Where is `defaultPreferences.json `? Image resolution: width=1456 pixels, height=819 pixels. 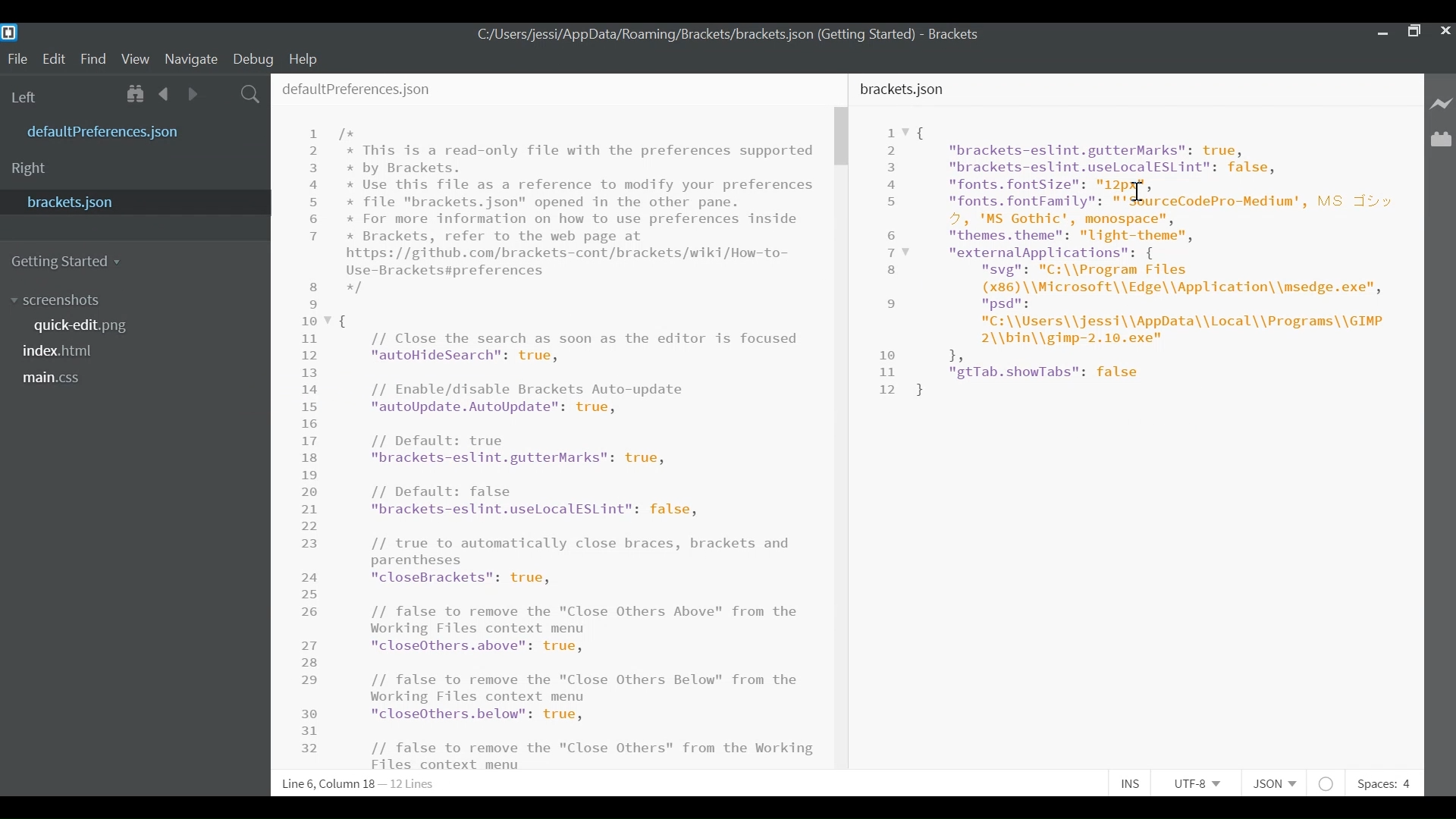 defaultPreferences.json  is located at coordinates (380, 91).